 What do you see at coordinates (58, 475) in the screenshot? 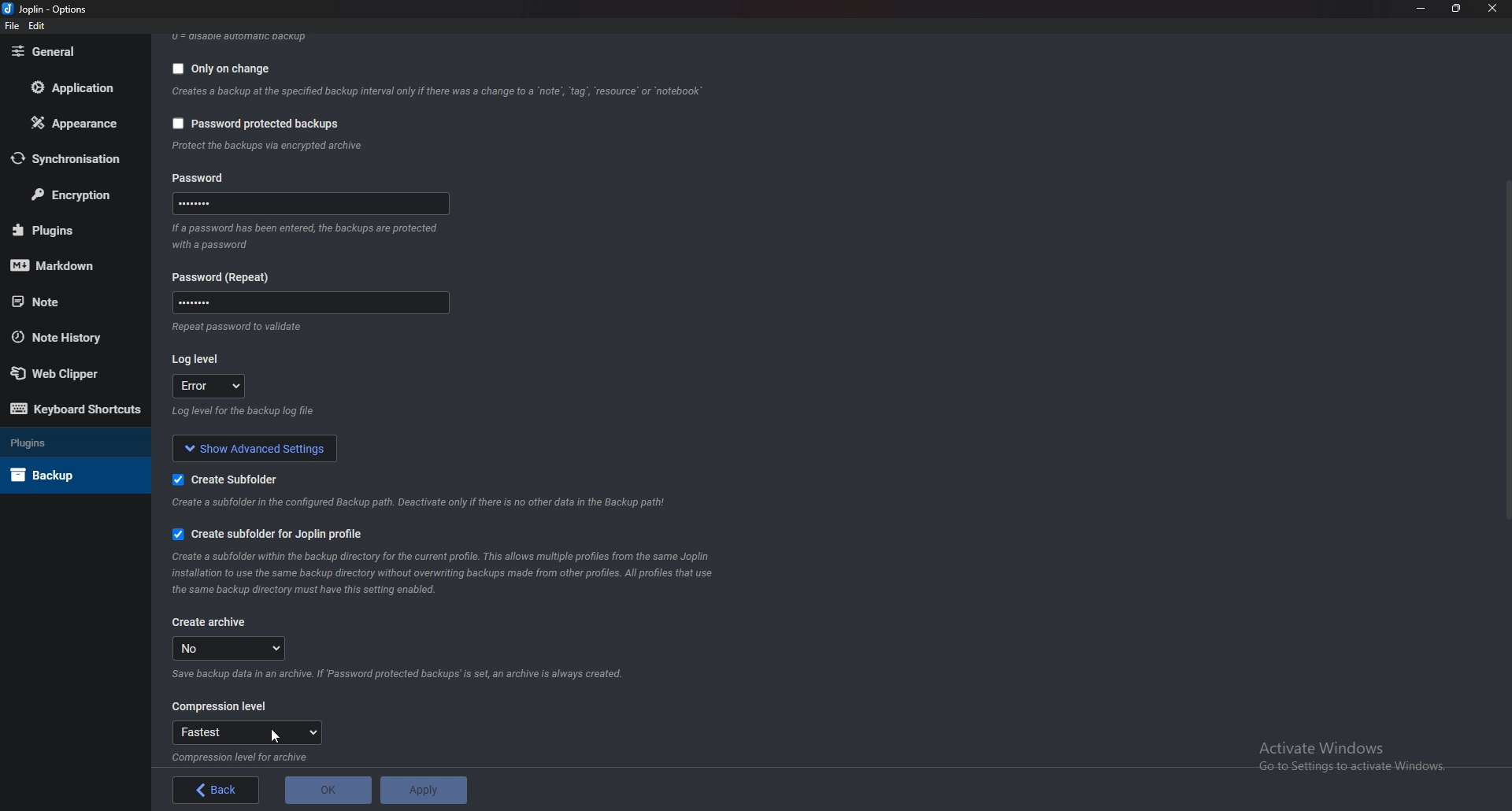
I see `Back up` at bounding box center [58, 475].